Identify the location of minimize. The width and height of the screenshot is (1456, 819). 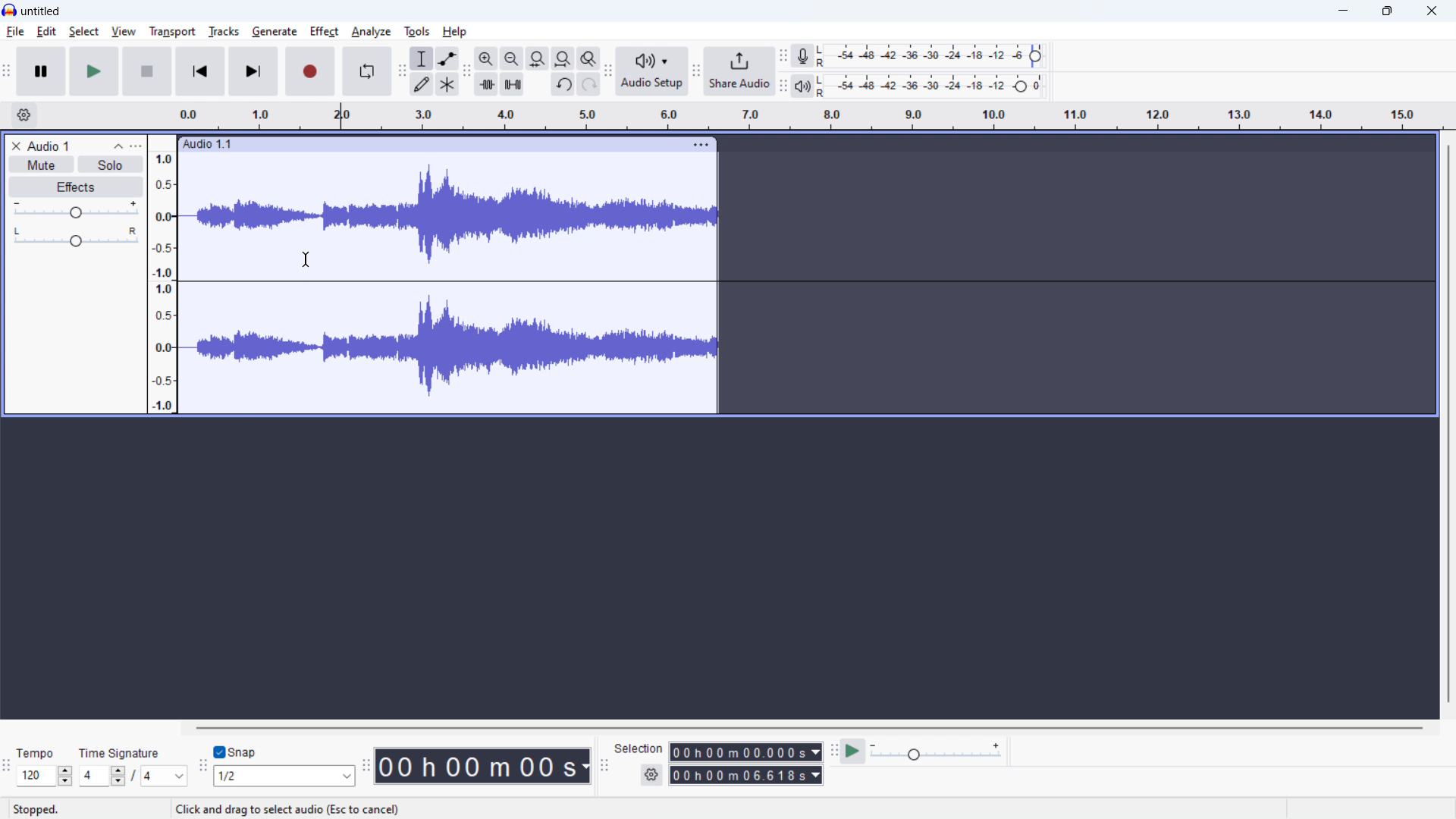
(1342, 11).